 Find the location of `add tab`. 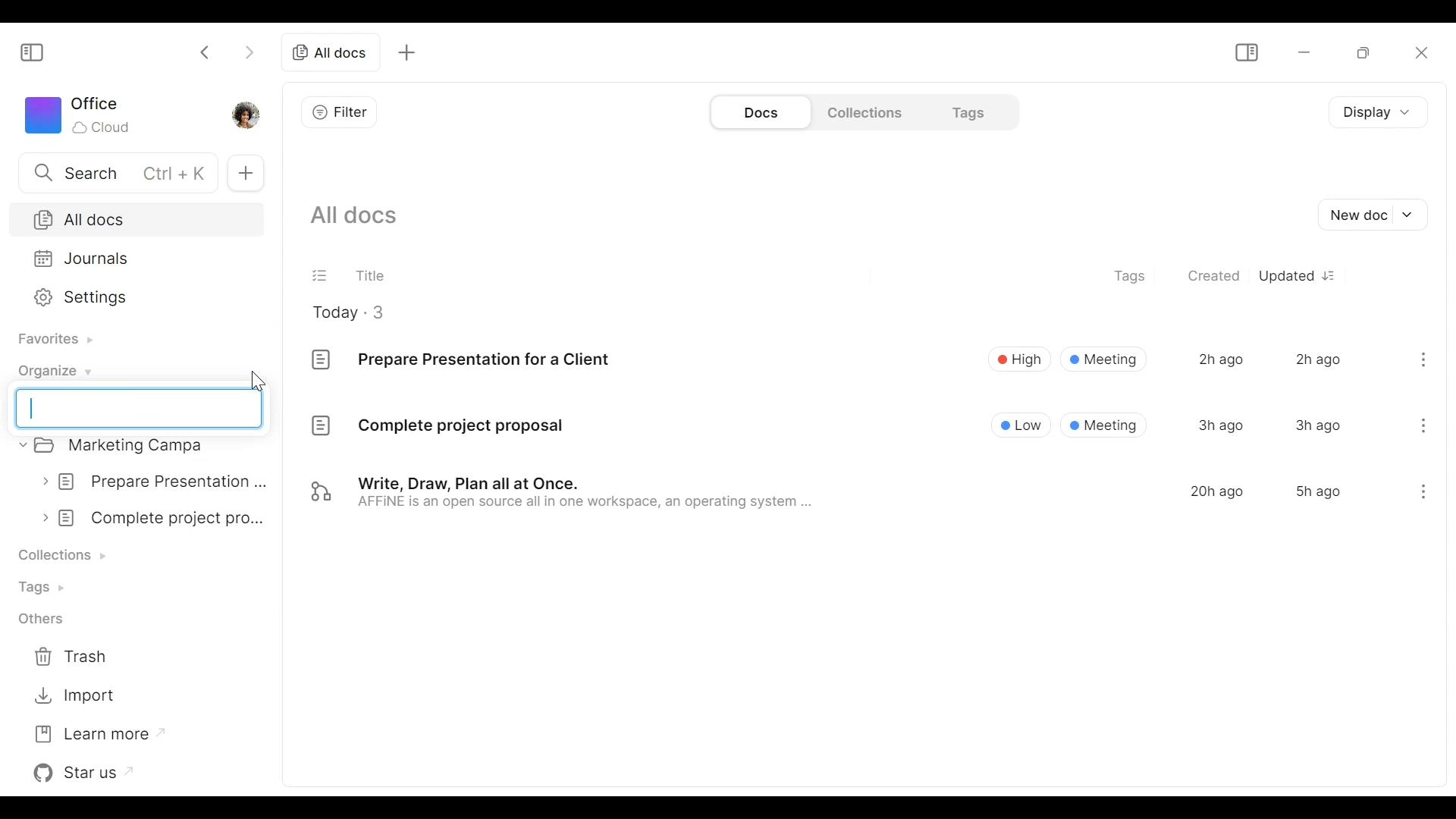

add tab is located at coordinates (412, 52).